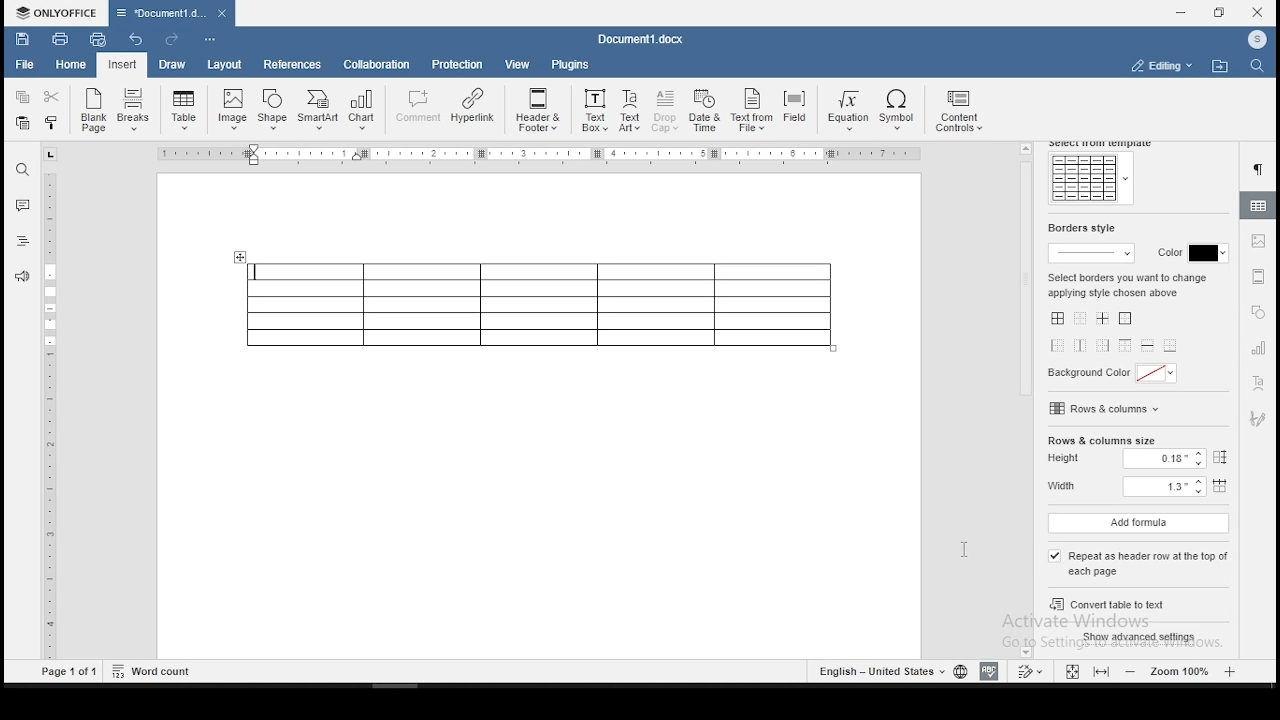  What do you see at coordinates (459, 64) in the screenshot?
I see `protection` at bounding box center [459, 64].